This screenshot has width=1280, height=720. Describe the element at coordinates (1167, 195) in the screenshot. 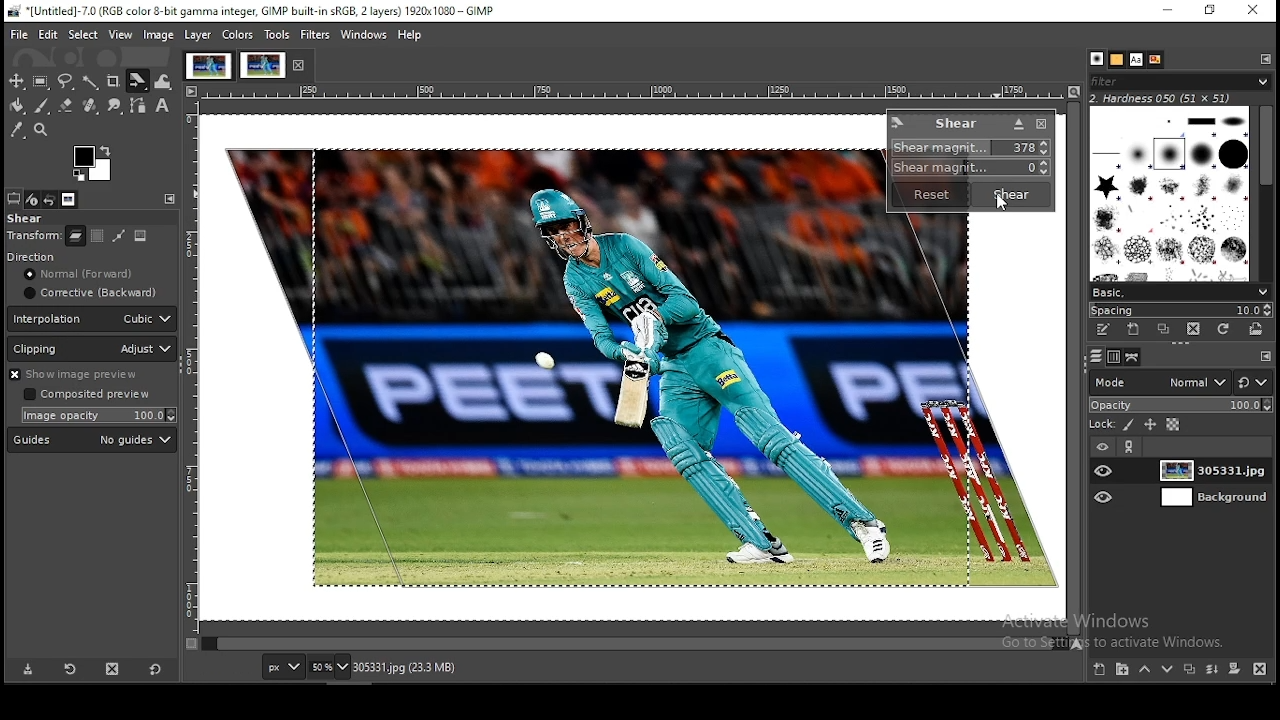

I see `brushes` at that location.